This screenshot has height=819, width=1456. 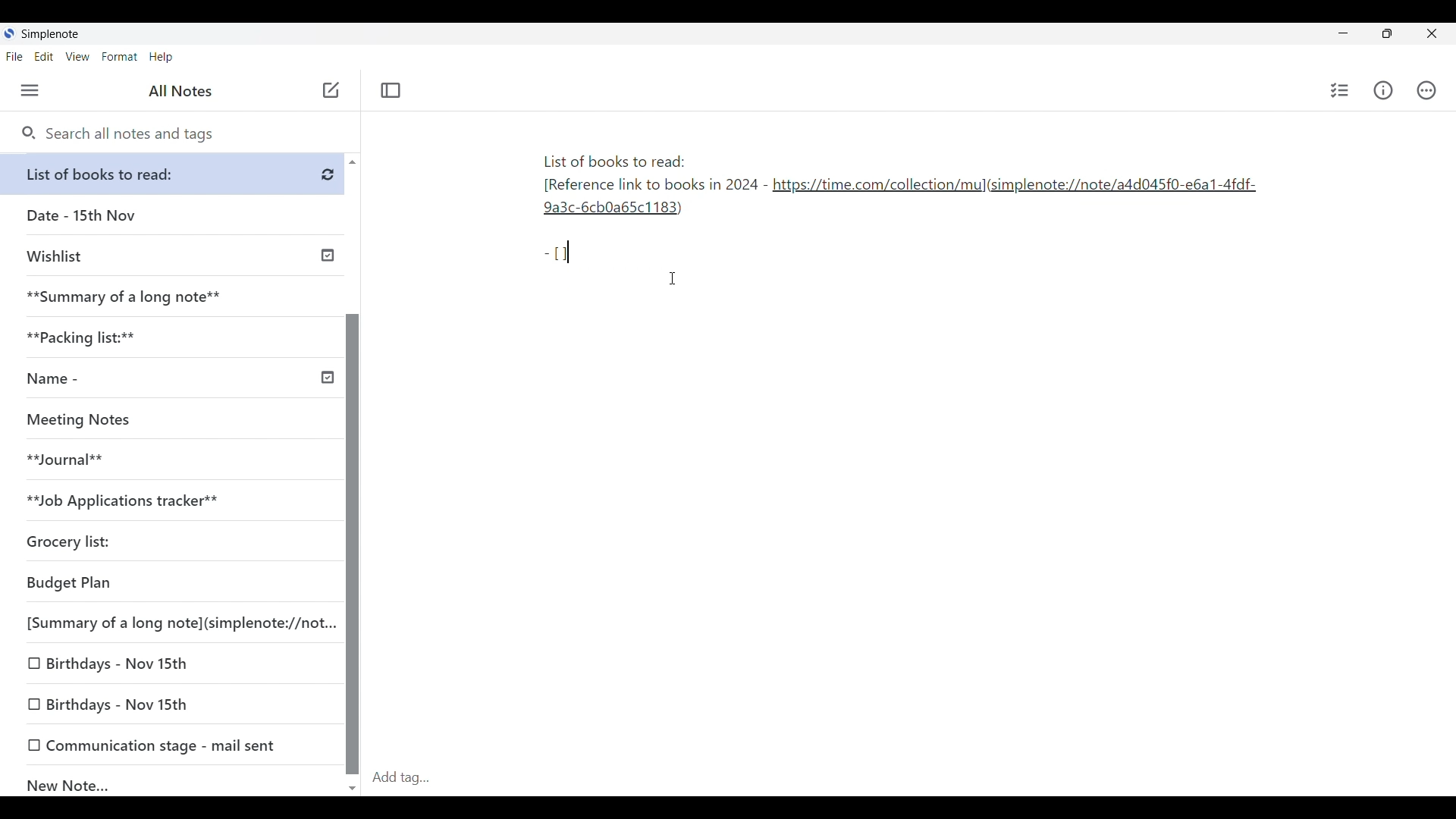 What do you see at coordinates (14, 57) in the screenshot?
I see `File` at bounding box center [14, 57].